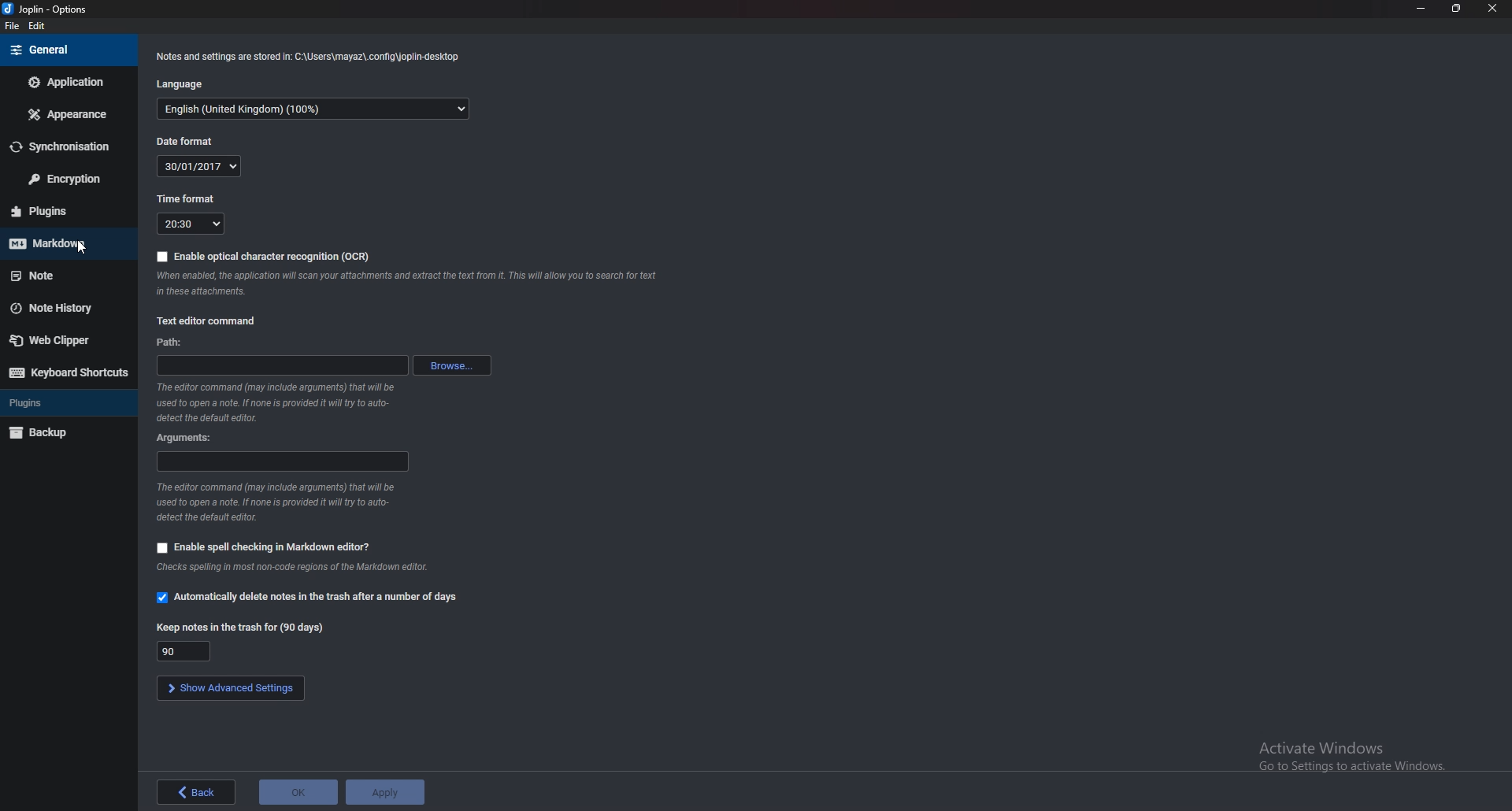 The image size is (1512, 811). What do you see at coordinates (457, 367) in the screenshot?
I see `browse` at bounding box center [457, 367].